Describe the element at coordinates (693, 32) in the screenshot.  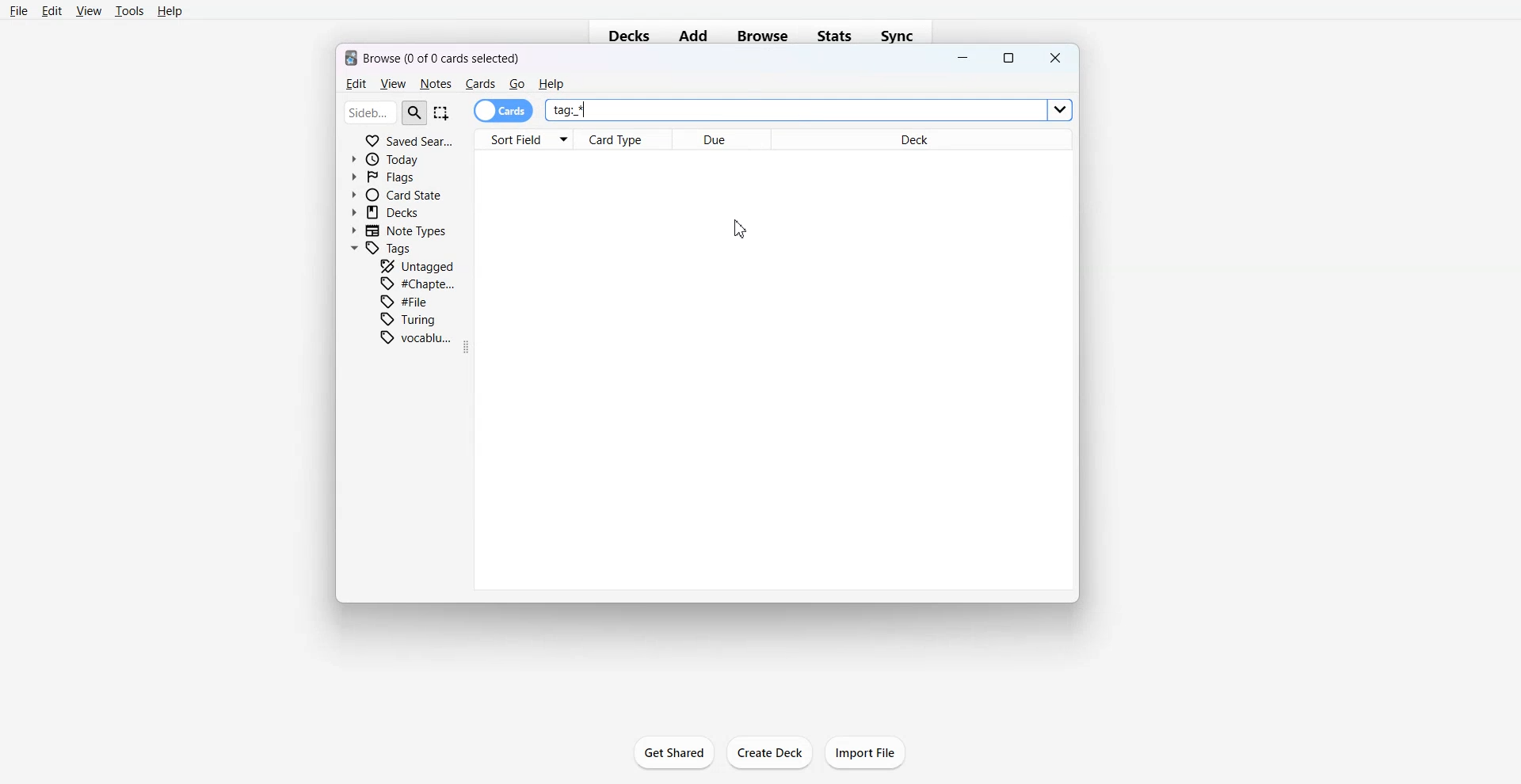
I see `Add` at that location.